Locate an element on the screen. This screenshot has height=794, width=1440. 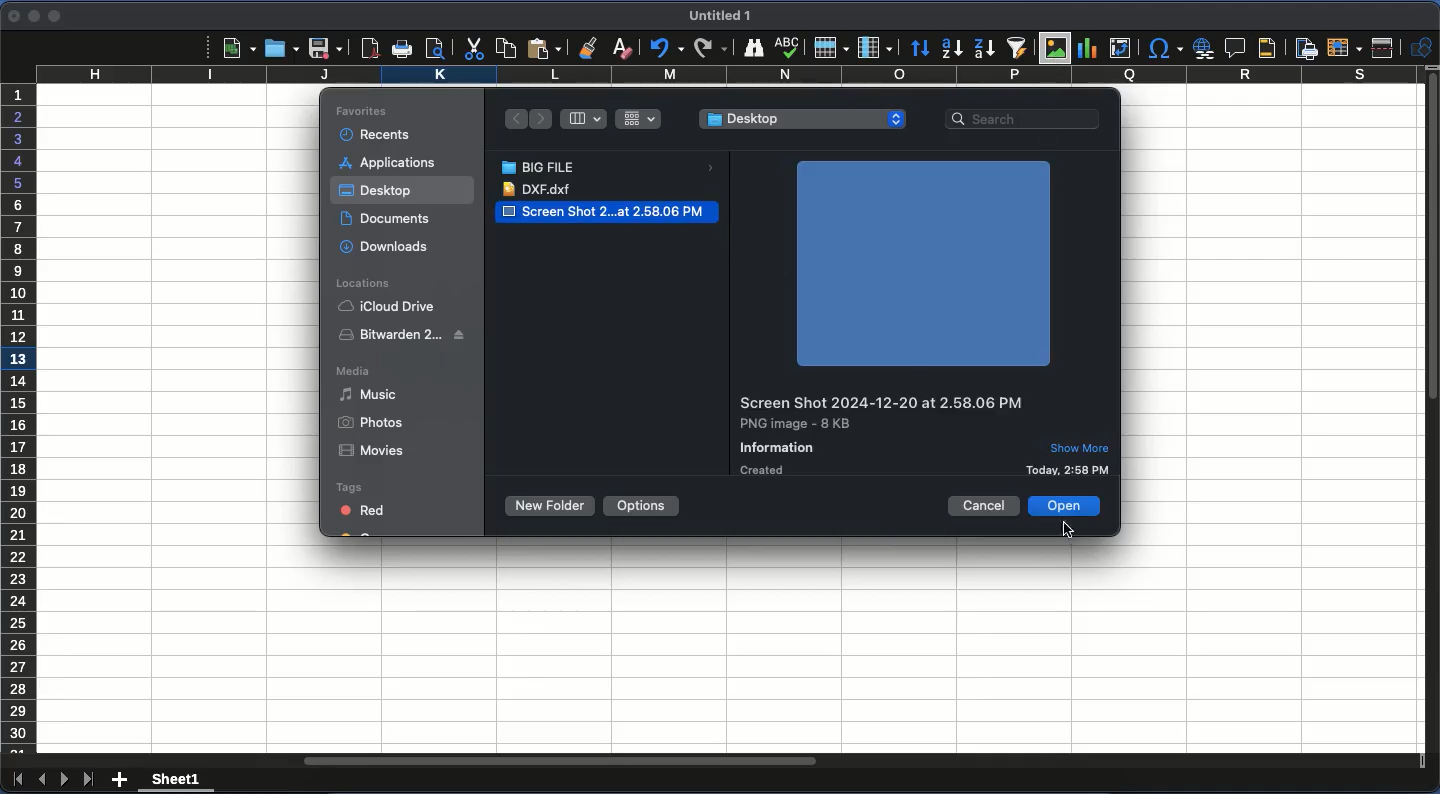
options is located at coordinates (643, 506).